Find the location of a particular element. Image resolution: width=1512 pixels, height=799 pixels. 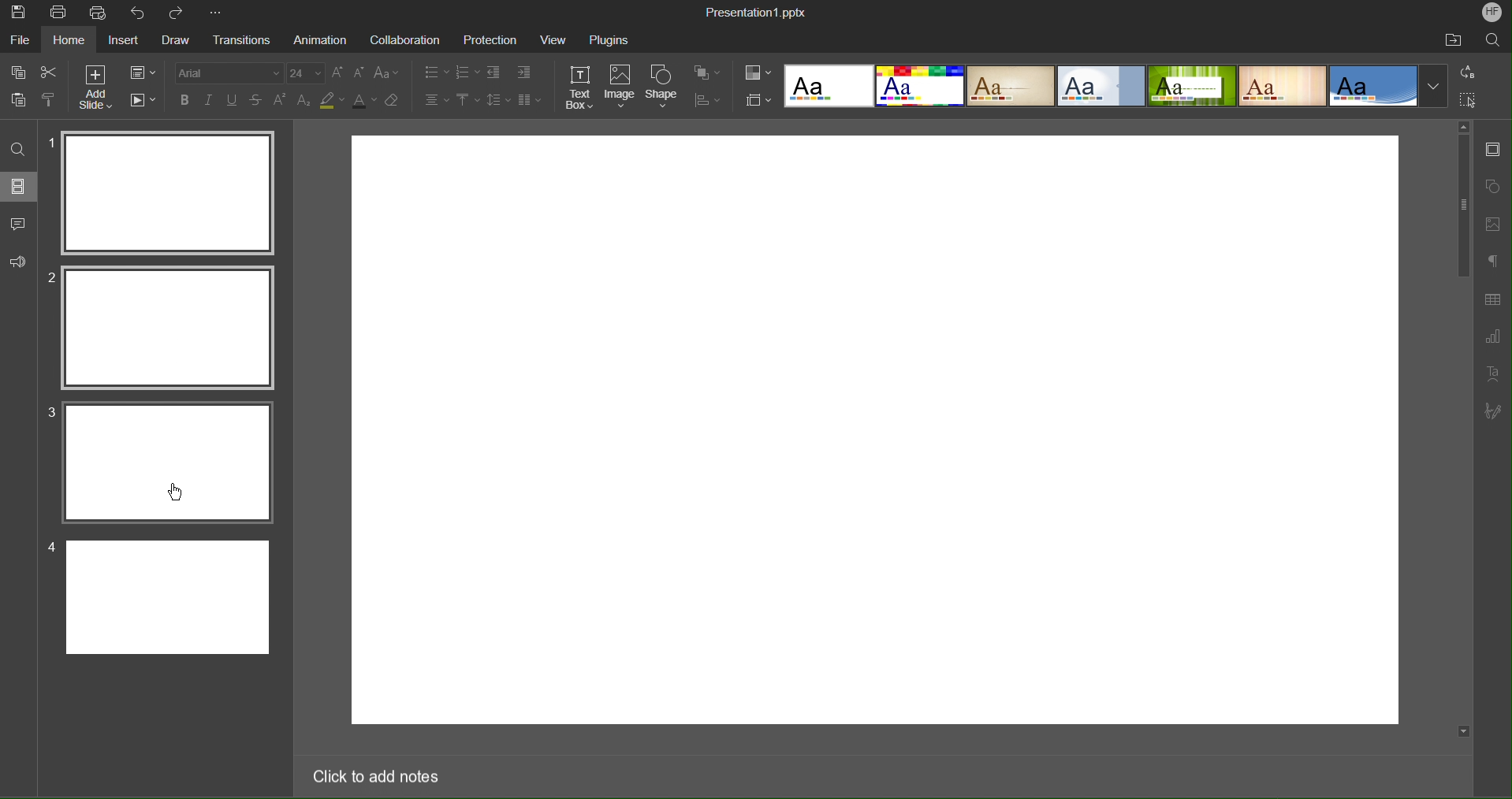

Font  is located at coordinates (223, 71).